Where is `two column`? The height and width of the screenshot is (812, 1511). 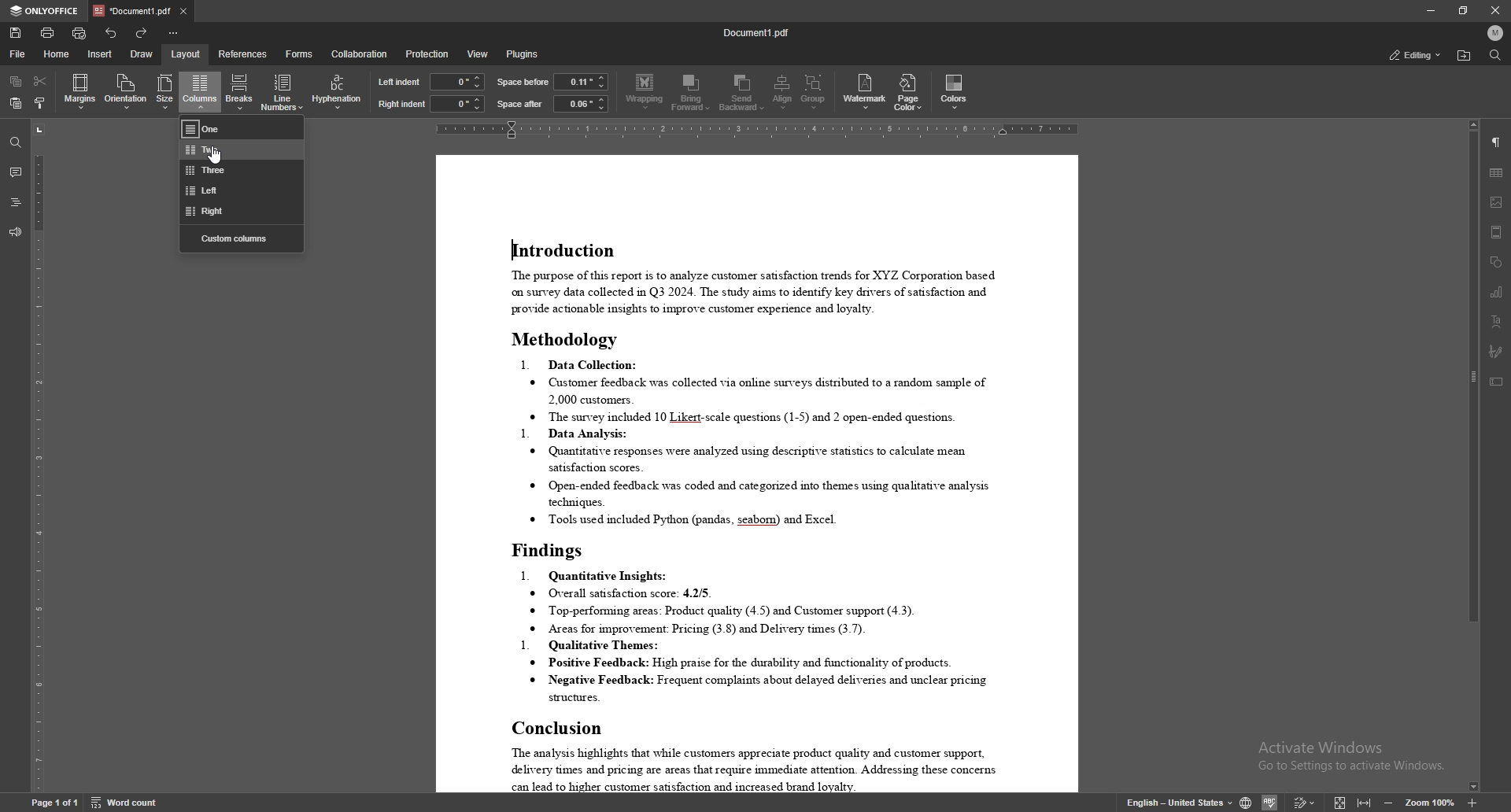
two column is located at coordinates (243, 150).